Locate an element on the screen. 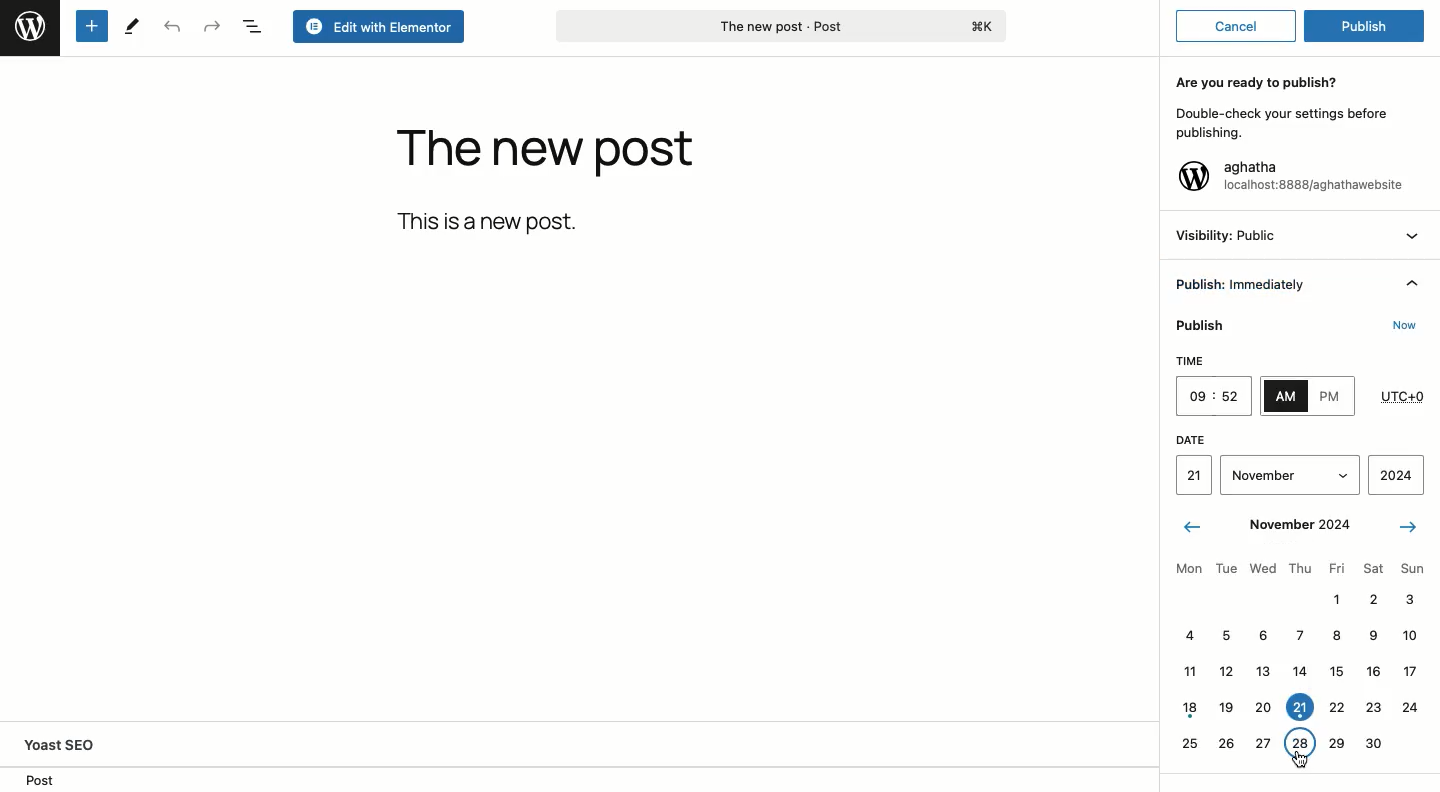 This screenshot has width=1440, height=792. Post is located at coordinates (39, 779).